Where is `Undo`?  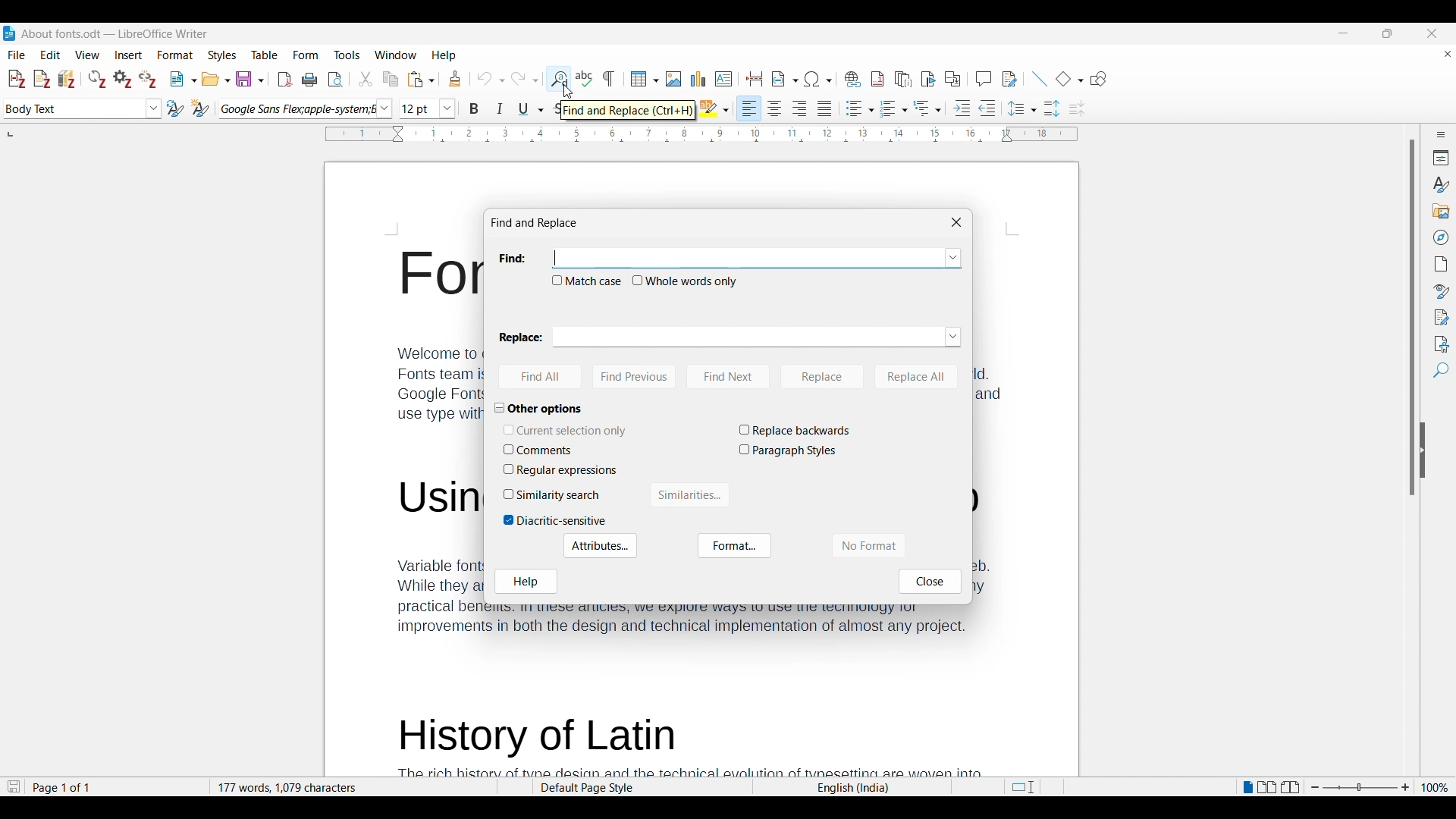 Undo is located at coordinates (491, 79).